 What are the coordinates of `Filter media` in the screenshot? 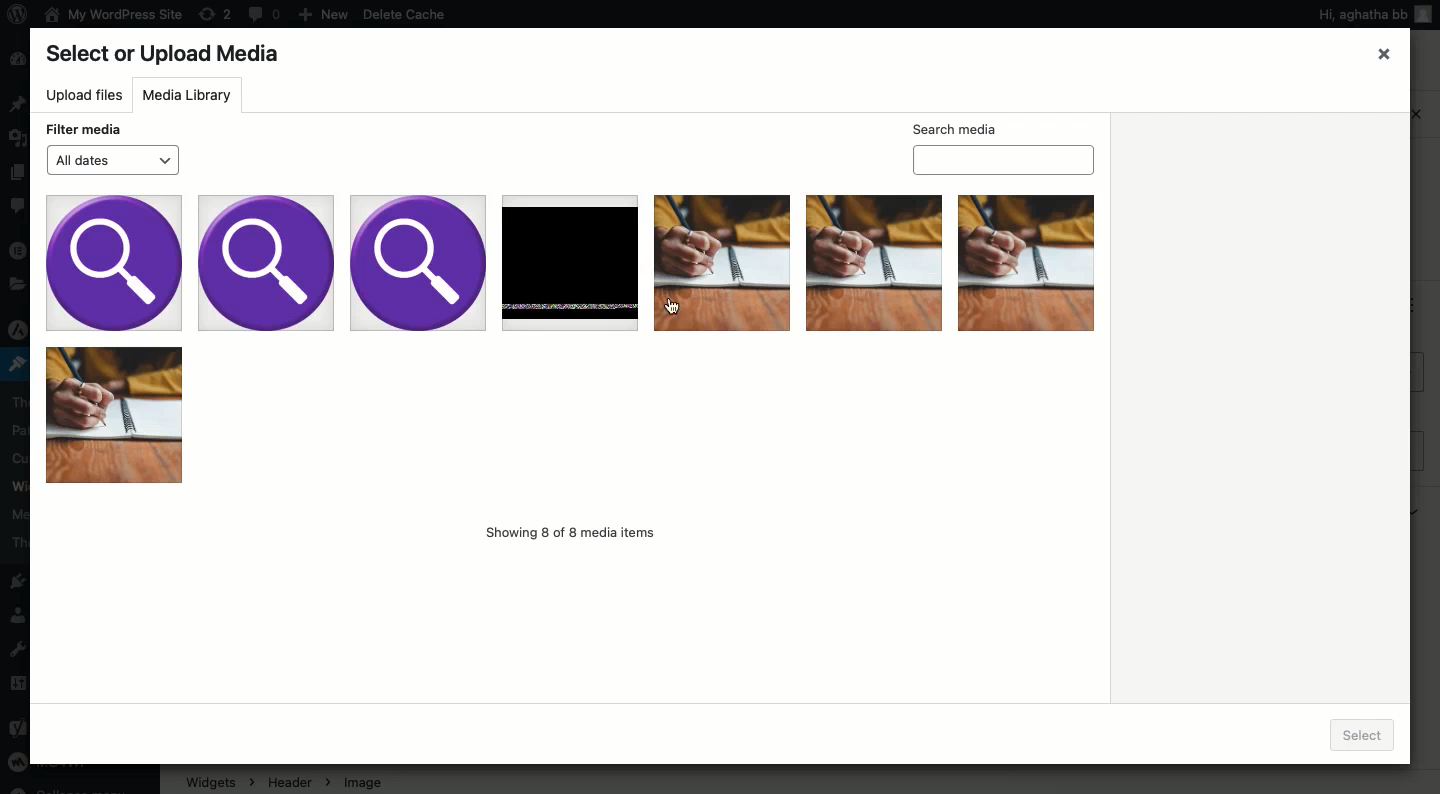 It's located at (85, 129).